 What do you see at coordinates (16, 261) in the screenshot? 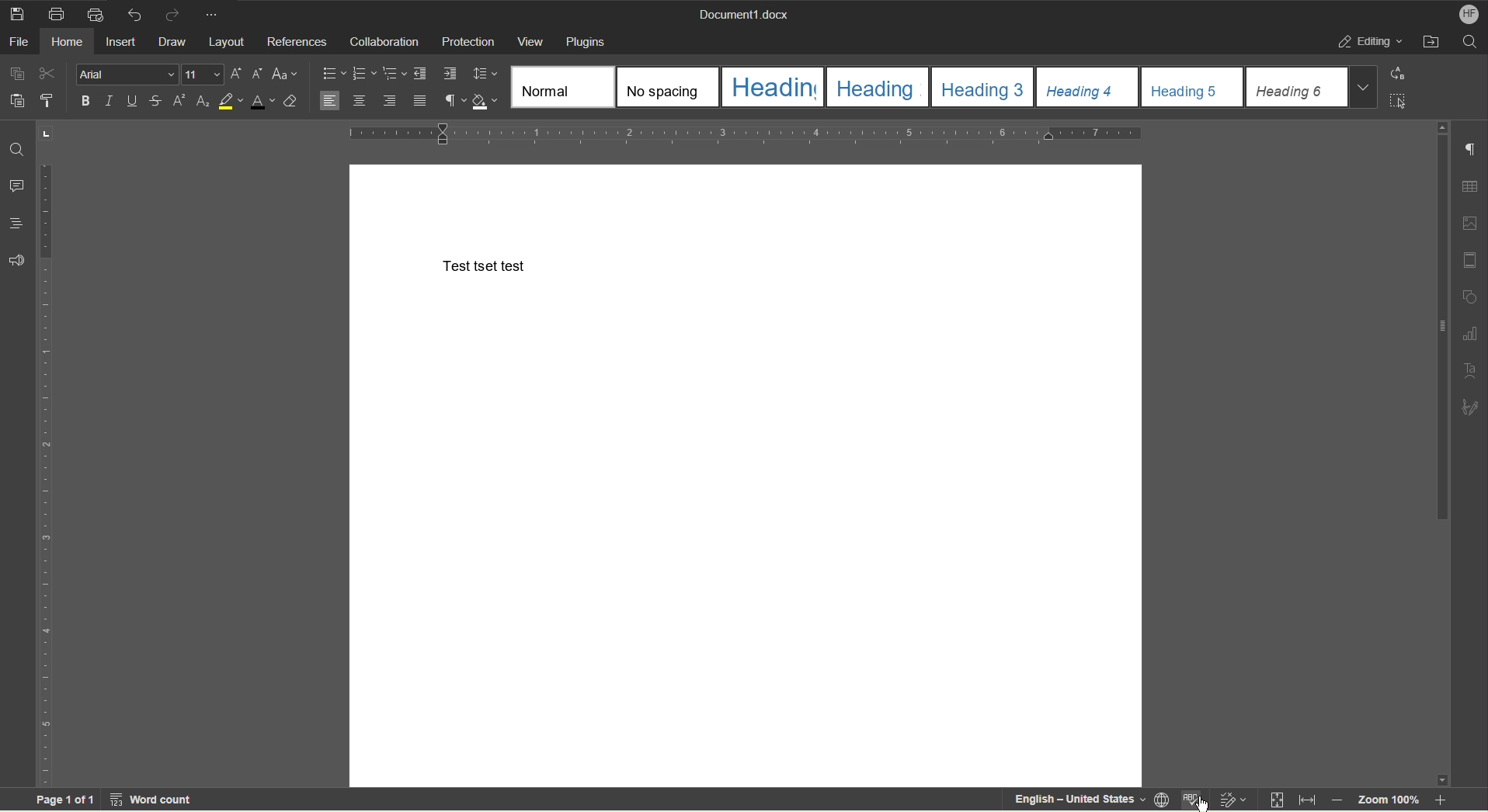
I see `Feedback and Support` at bounding box center [16, 261].